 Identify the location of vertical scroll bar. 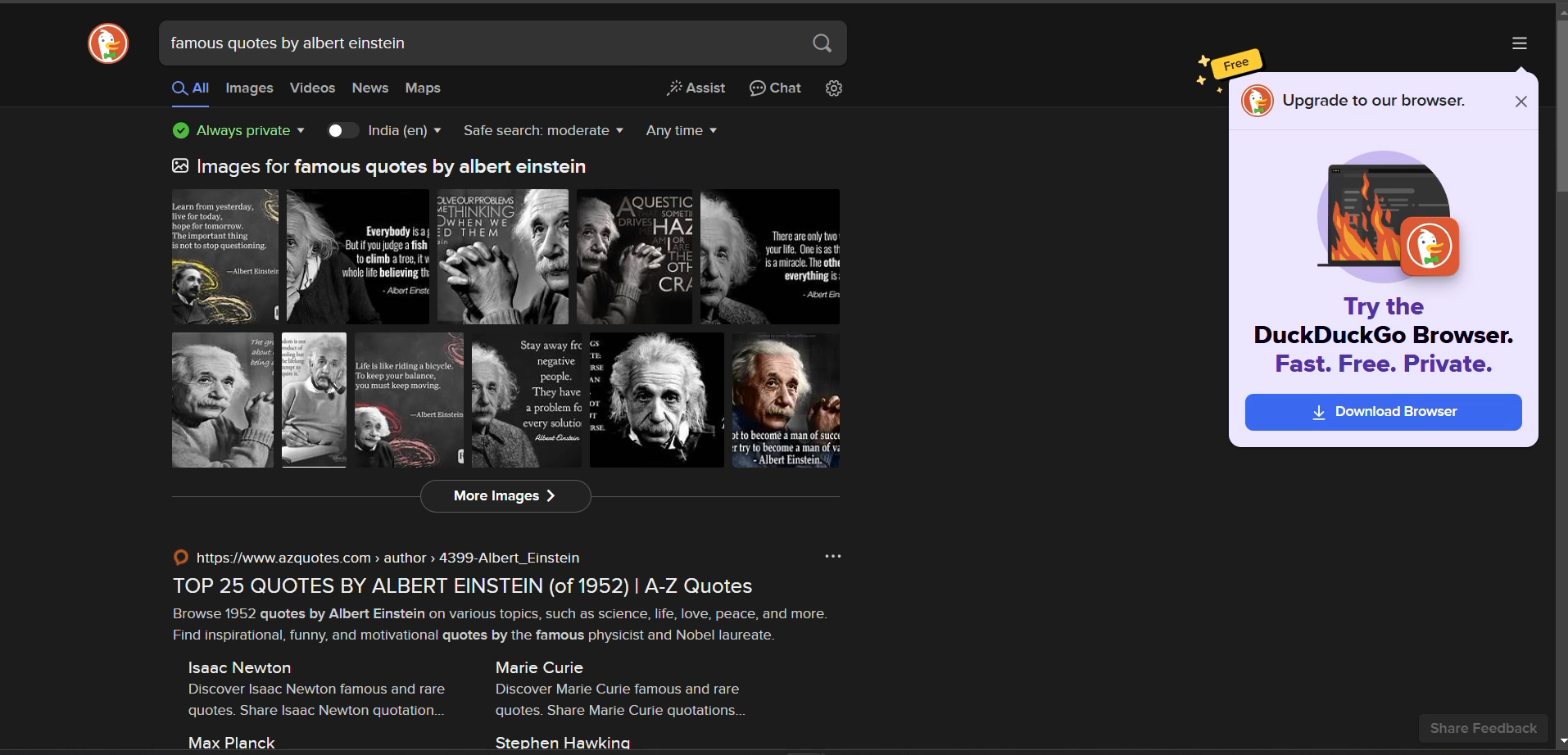
(1558, 106).